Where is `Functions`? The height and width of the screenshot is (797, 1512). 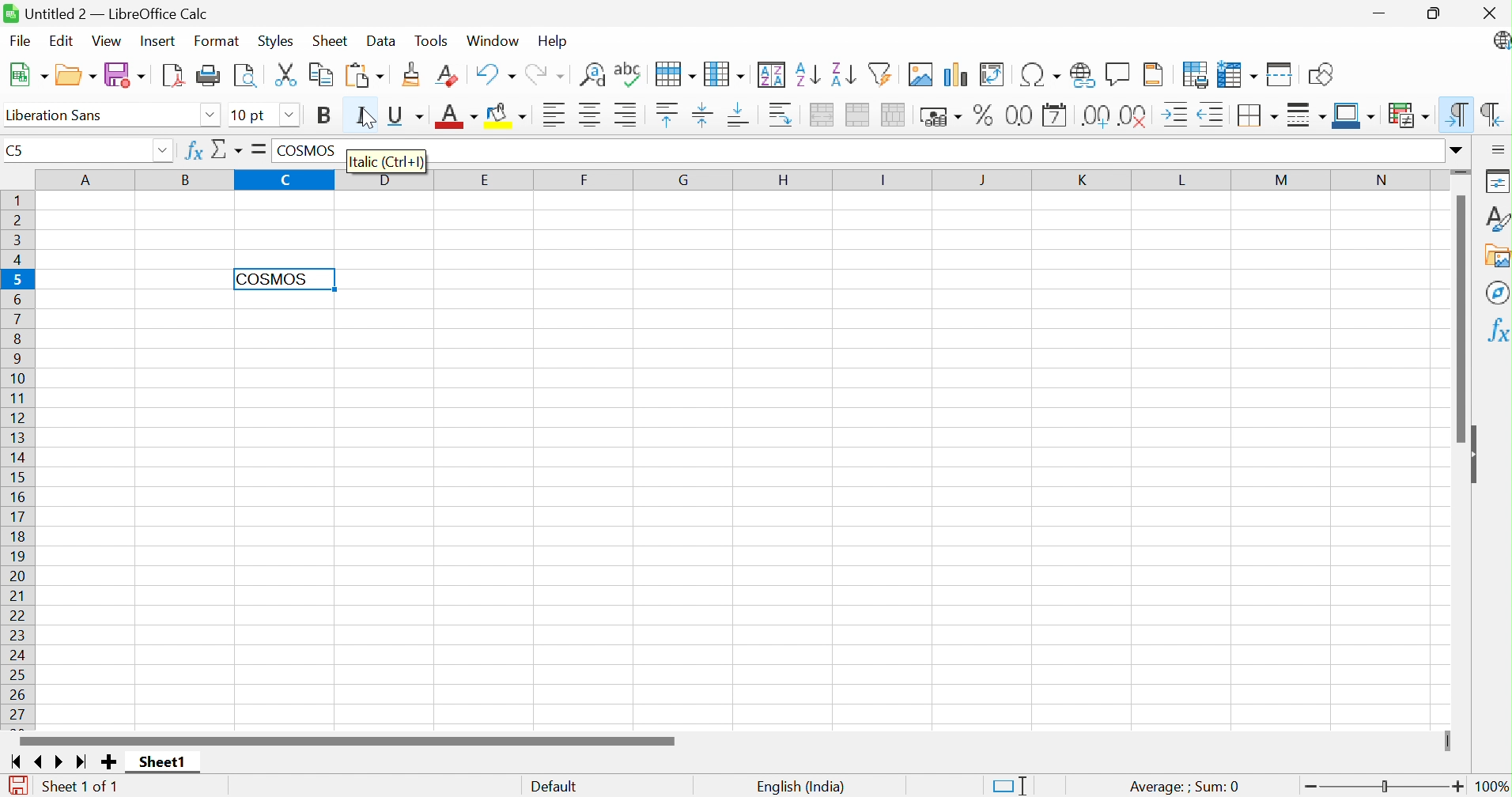
Functions is located at coordinates (1495, 331).